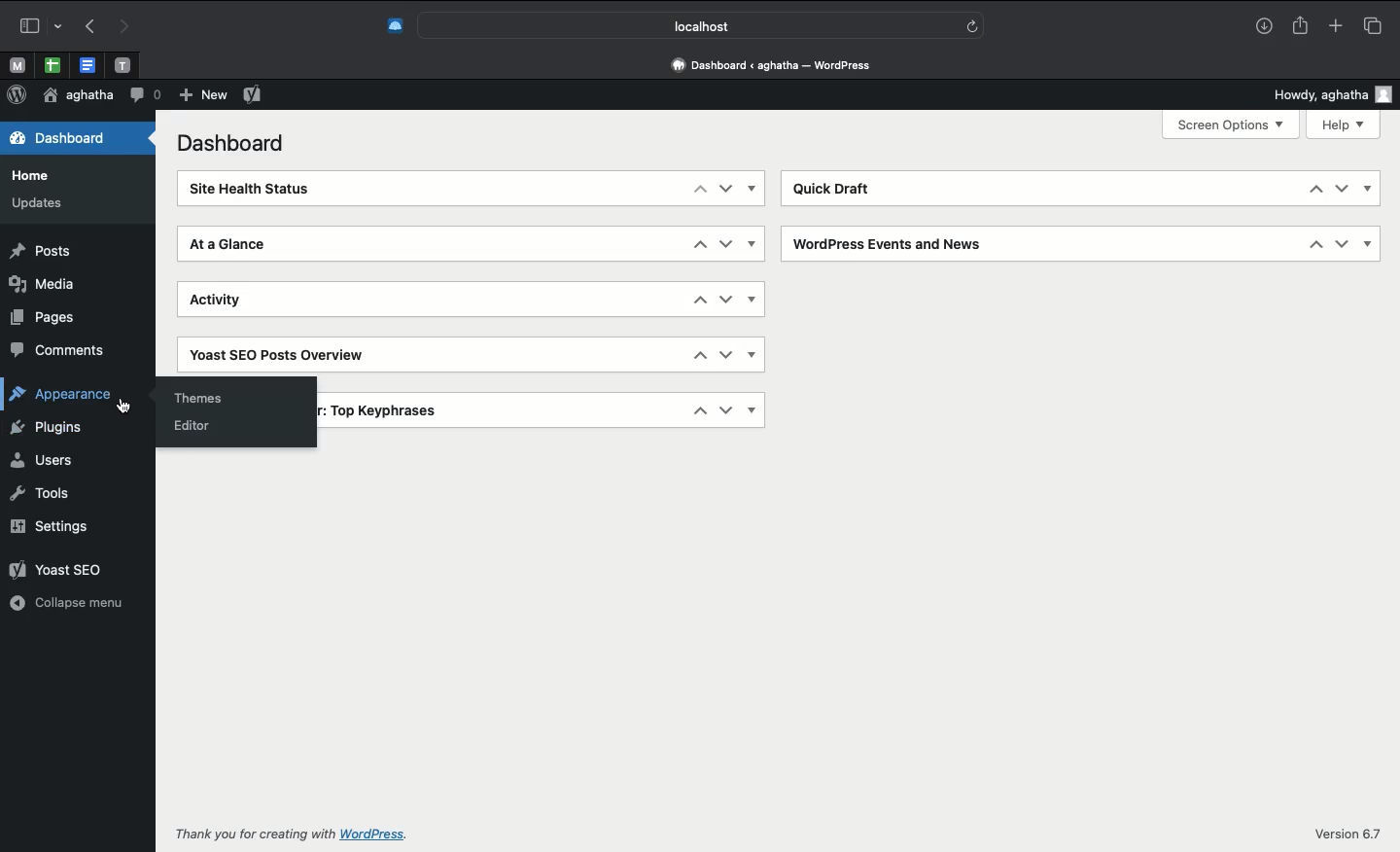  What do you see at coordinates (1313, 189) in the screenshot?
I see `Up` at bounding box center [1313, 189].